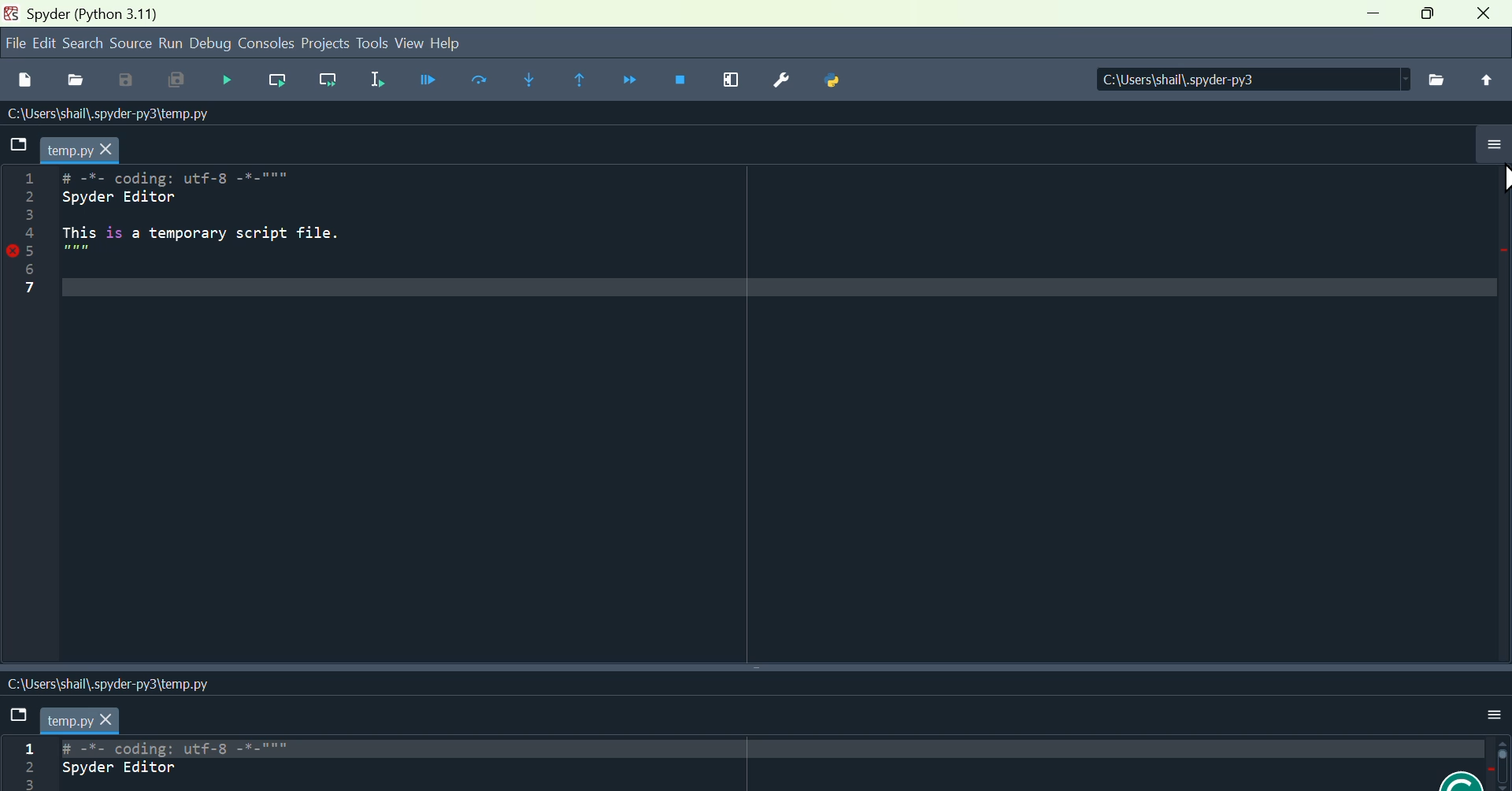 Image resolution: width=1512 pixels, height=791 pixels. Describe the element at coordinates (19, 141) in the screenshot. I see `folder` at that location.